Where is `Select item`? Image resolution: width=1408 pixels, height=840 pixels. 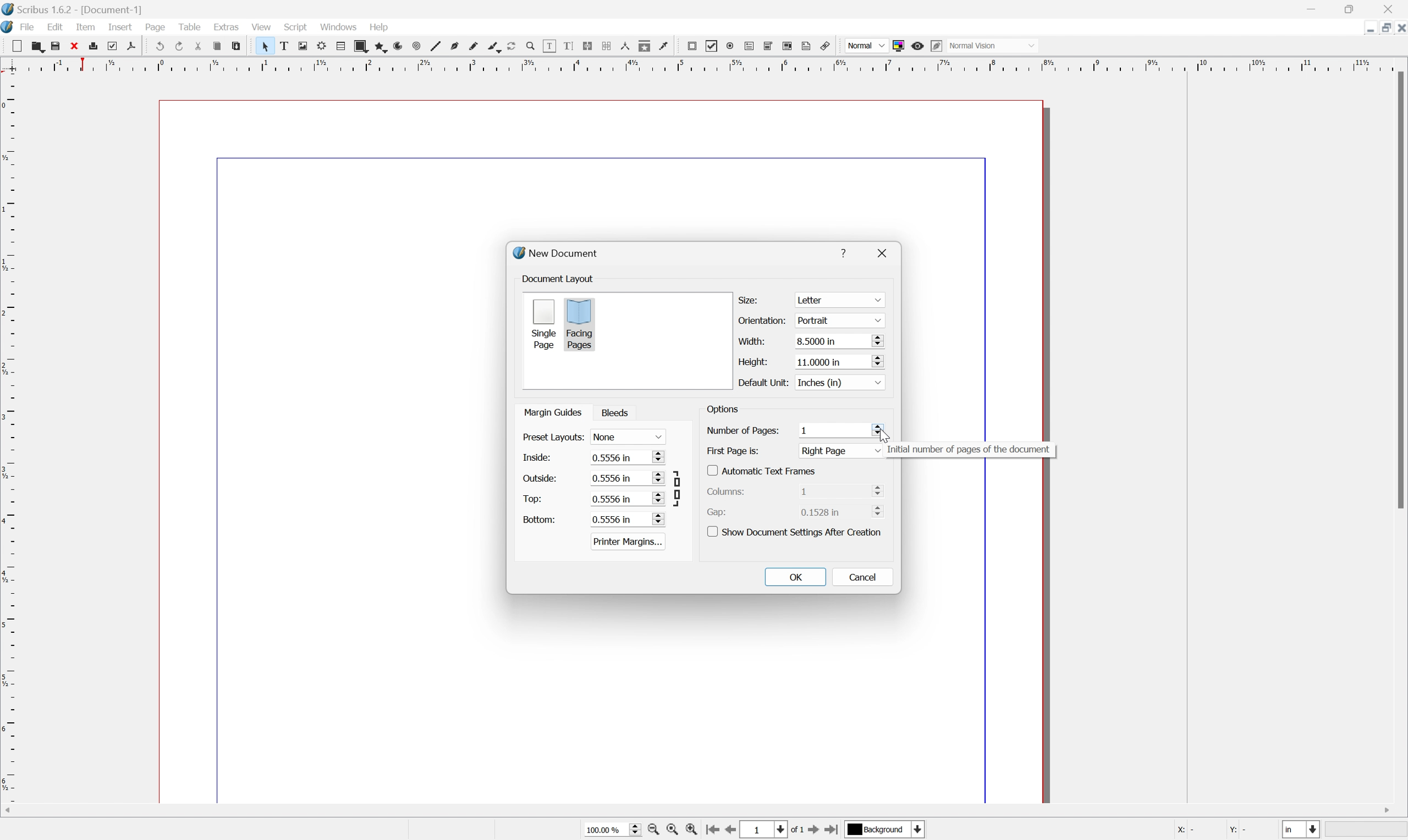
Select item is located at coordinates (265, 46).